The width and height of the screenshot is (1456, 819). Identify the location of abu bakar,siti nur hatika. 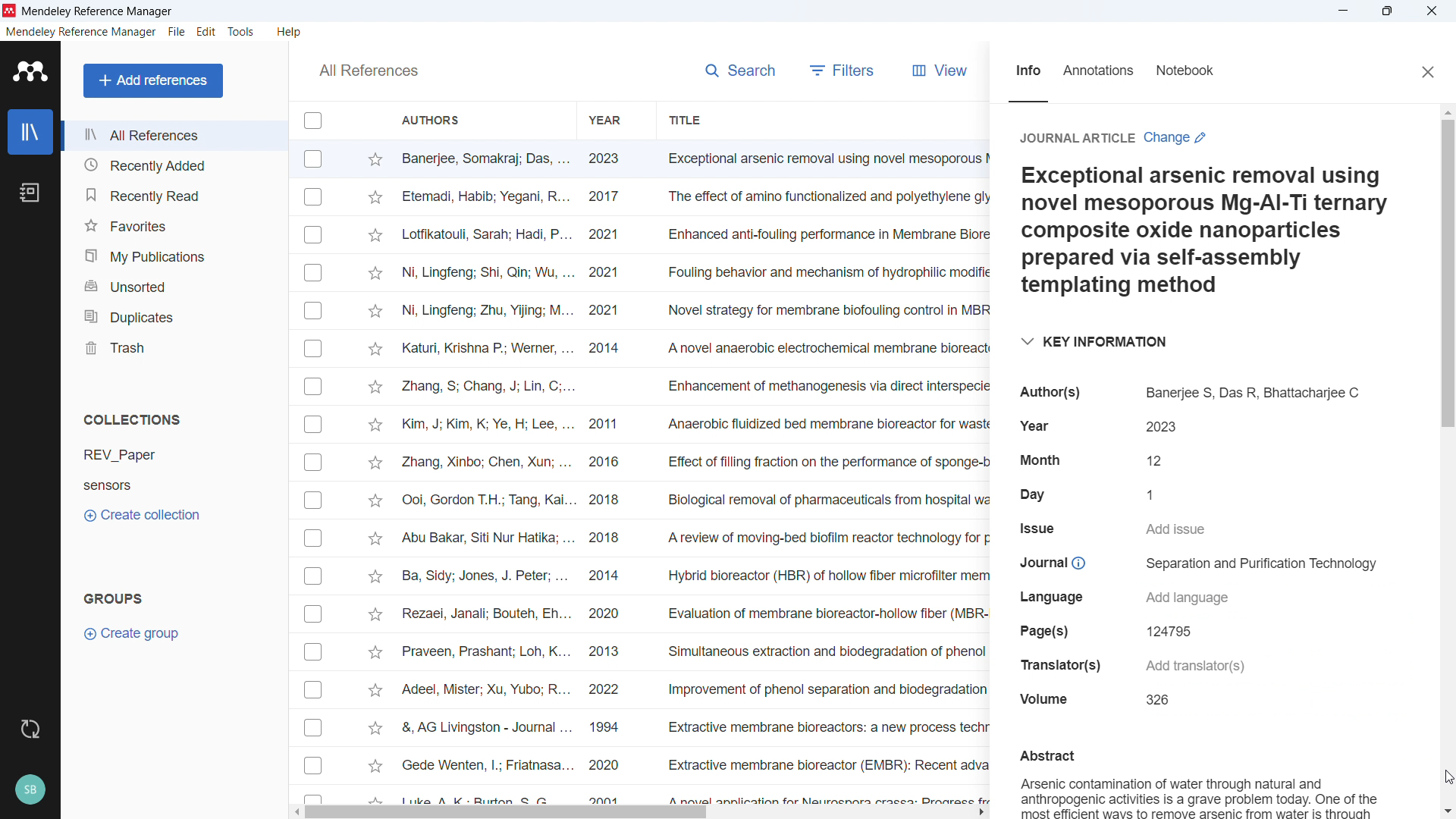
(477, 539).